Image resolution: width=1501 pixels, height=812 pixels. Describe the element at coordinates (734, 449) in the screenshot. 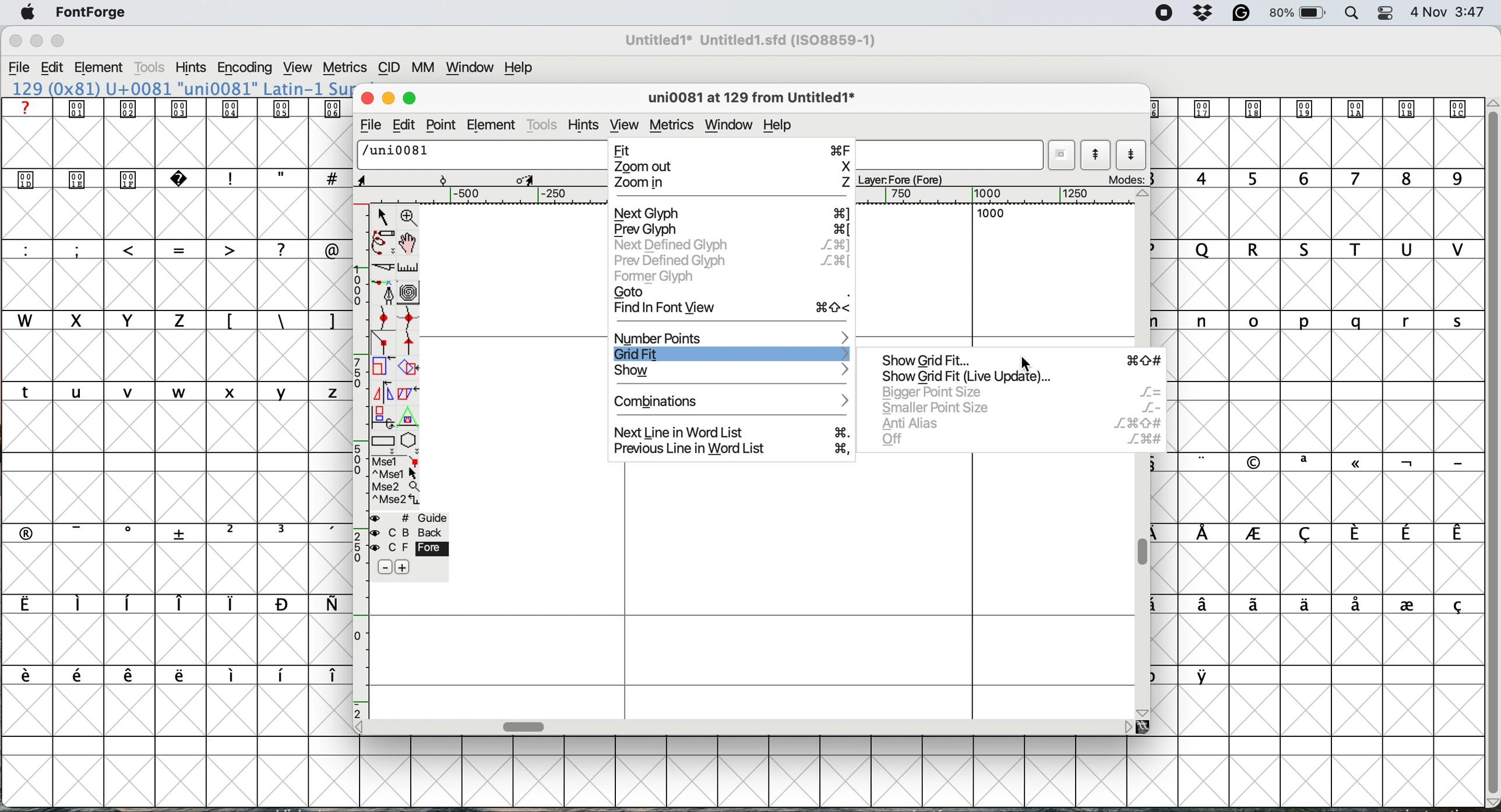

I see `previous line in word list` at that location.